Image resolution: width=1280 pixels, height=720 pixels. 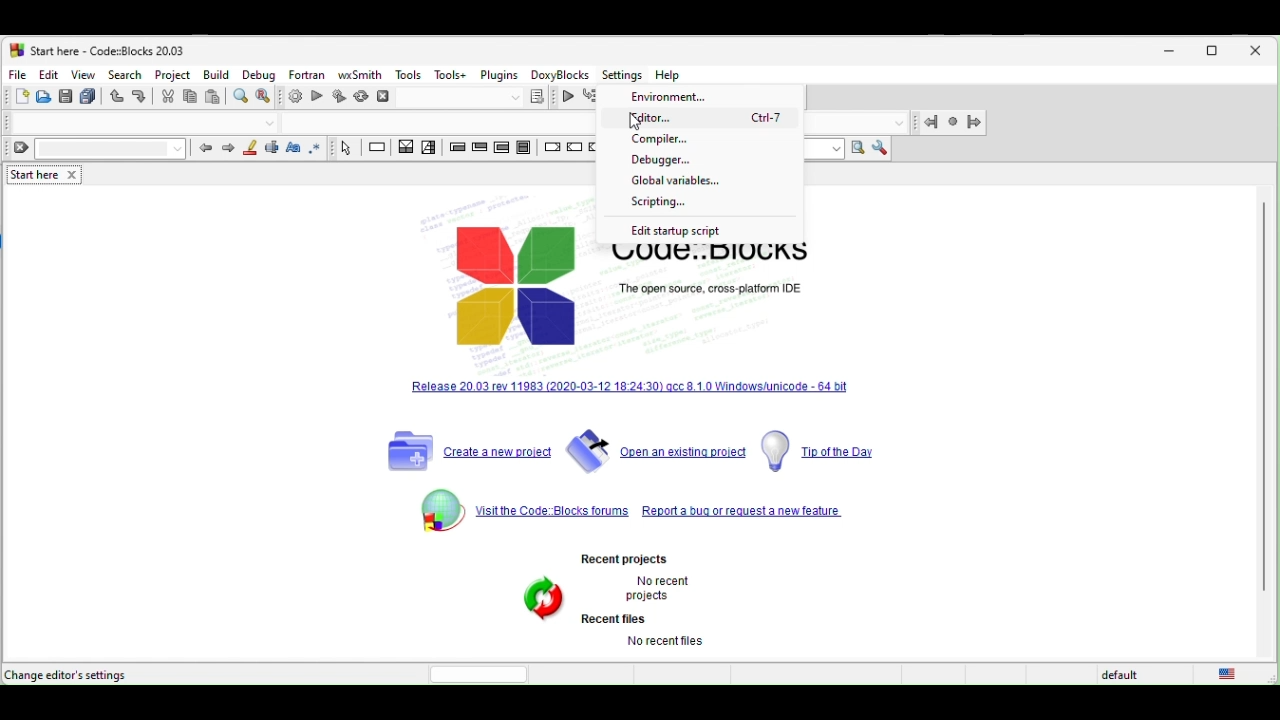 What do you see at coordinates (124, 74) in the screenshot?
I see `search` at bounding box center [124, 74].